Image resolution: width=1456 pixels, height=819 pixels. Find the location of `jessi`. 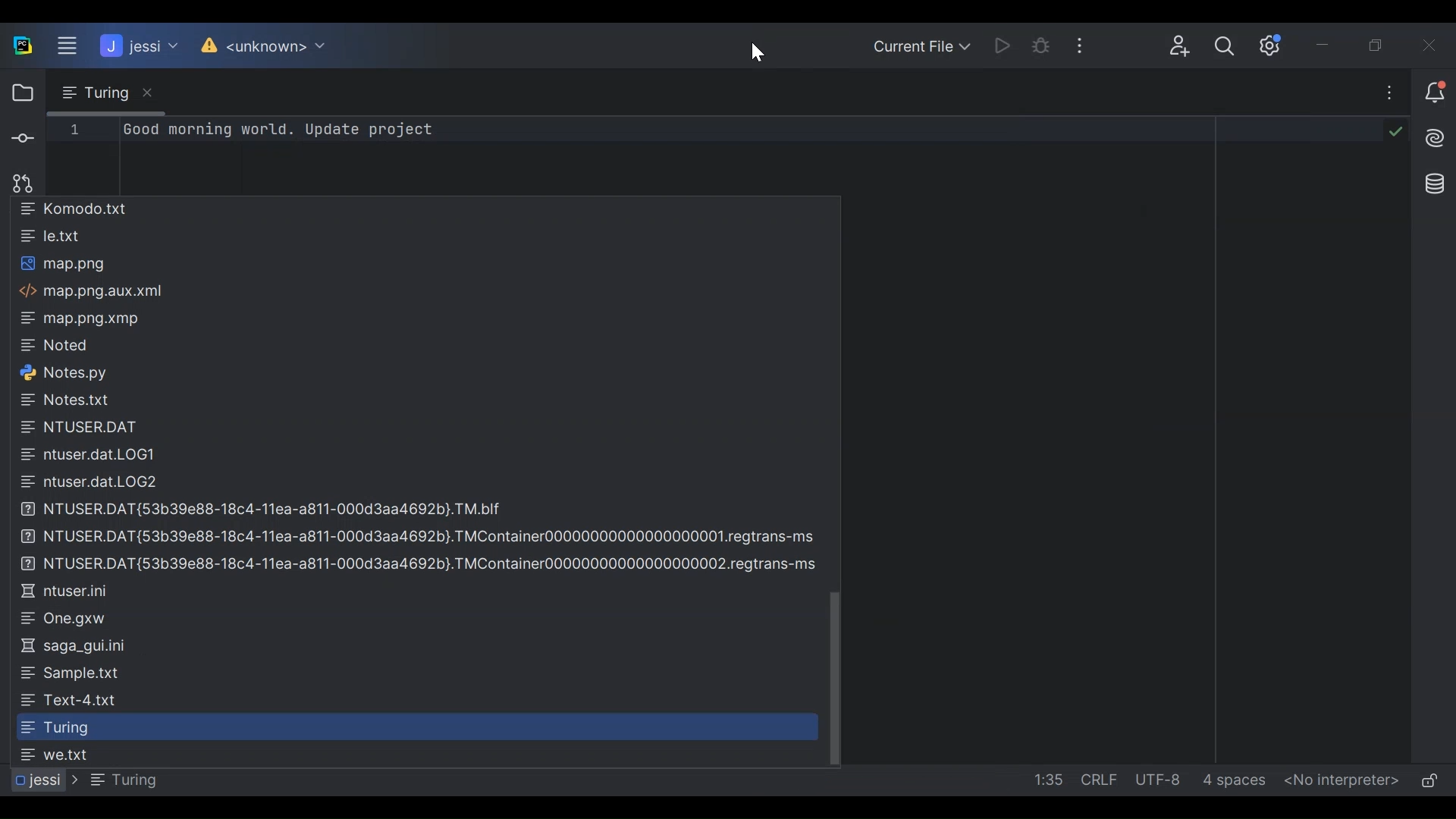

jessi is located at coordinates (36, 780).